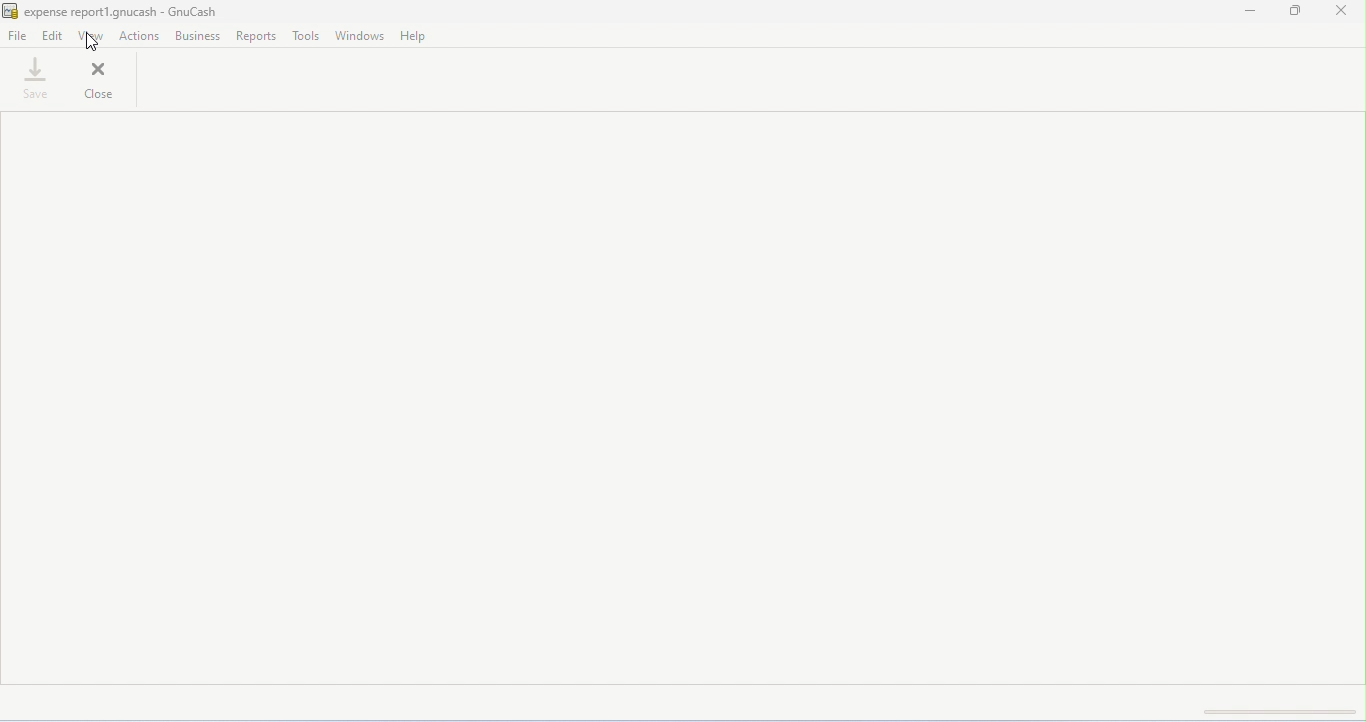 This screenshot has height=722, width=1366. I want to click on windows, so click(359, 35).